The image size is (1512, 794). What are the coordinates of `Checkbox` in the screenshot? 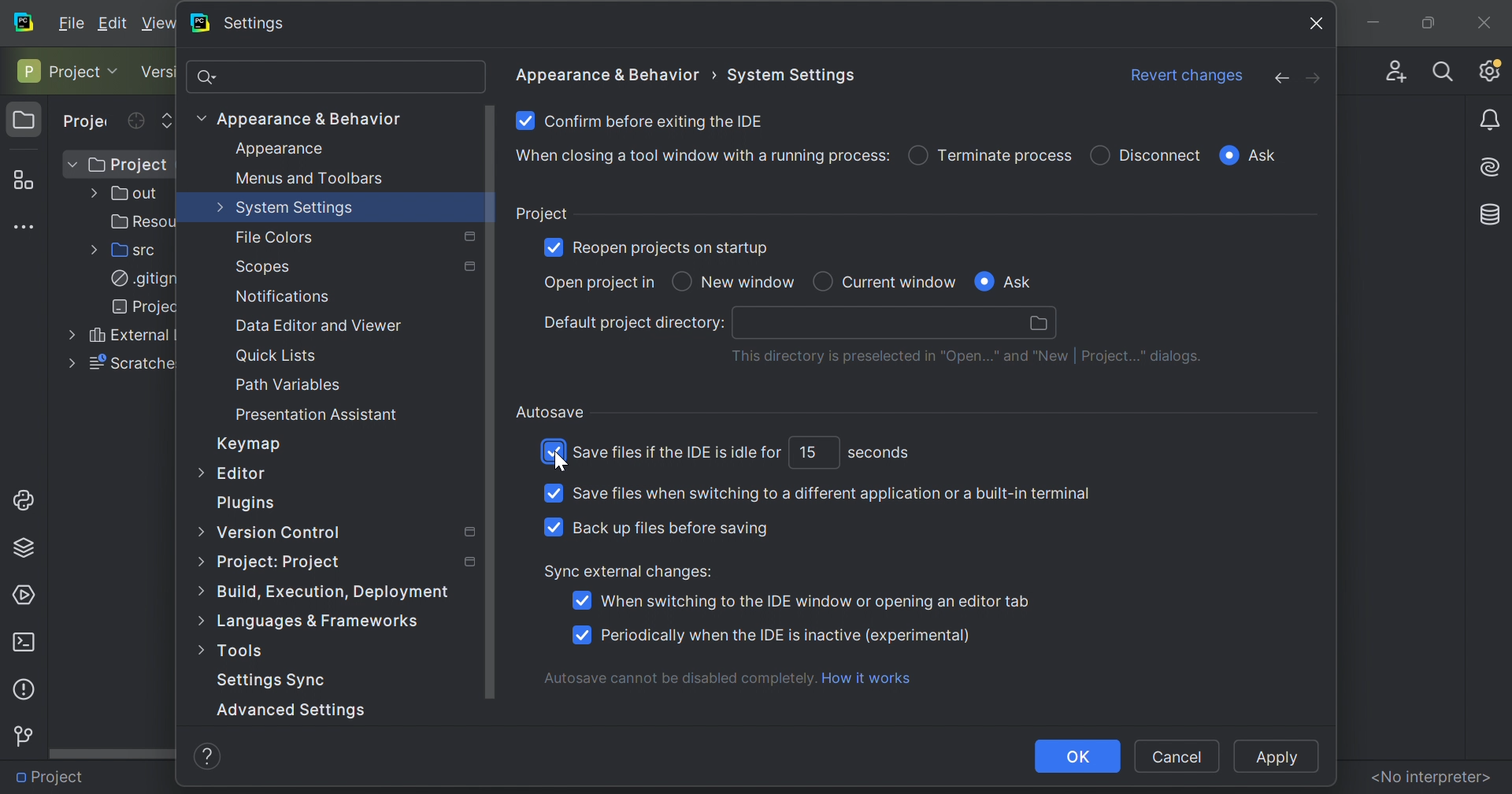 It's located at (550, 245).